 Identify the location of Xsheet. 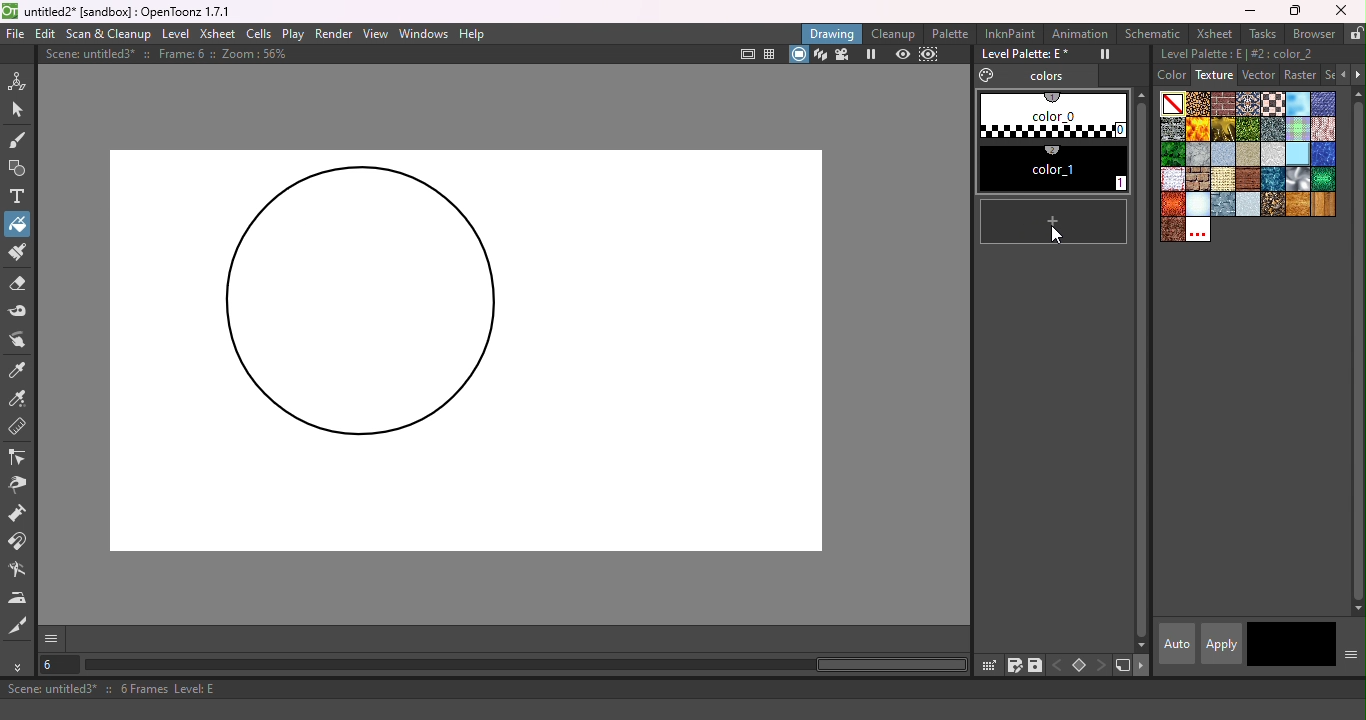
(218, 34).